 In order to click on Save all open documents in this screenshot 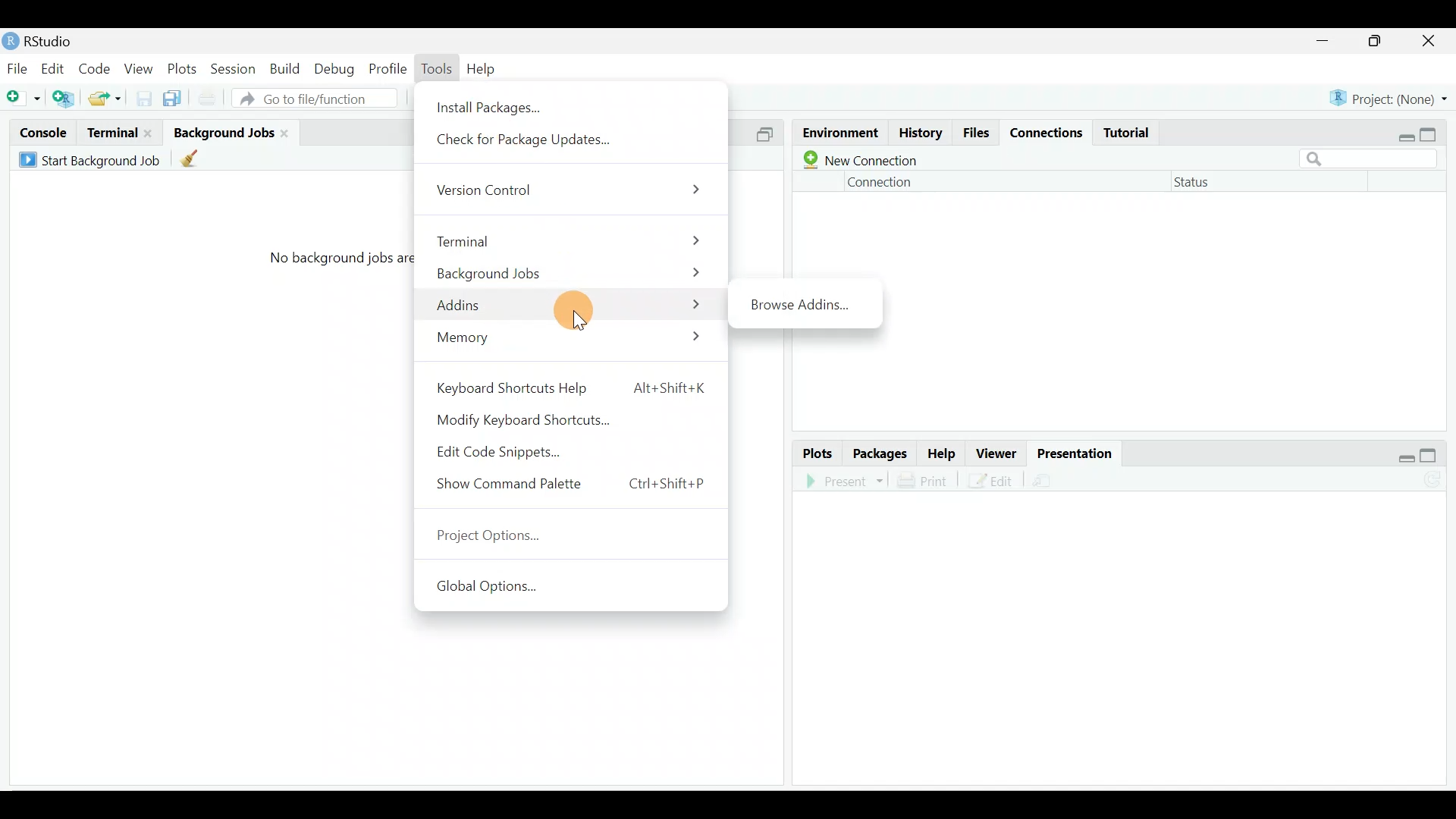, I will do `click(170, 101)`.